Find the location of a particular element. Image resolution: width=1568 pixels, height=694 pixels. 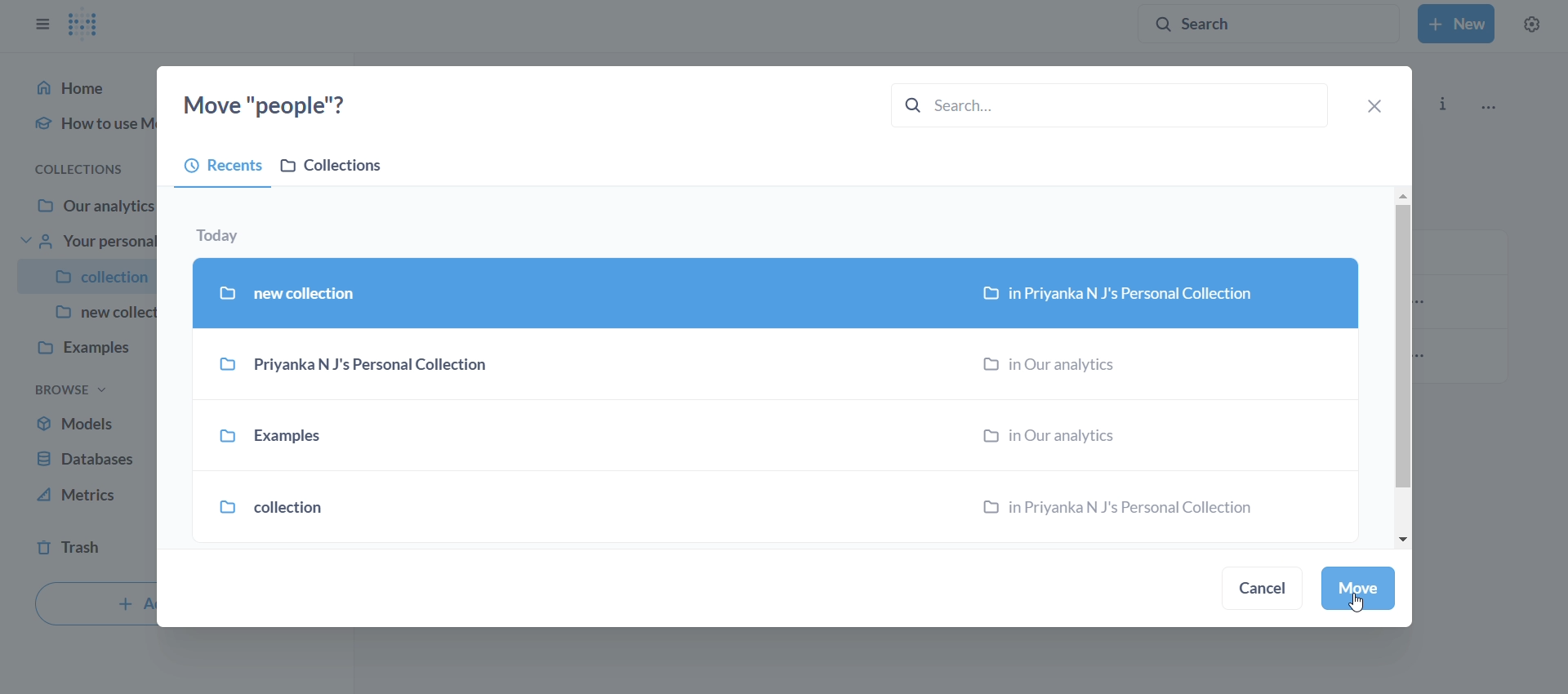

today is located at coordinates (229, 234).